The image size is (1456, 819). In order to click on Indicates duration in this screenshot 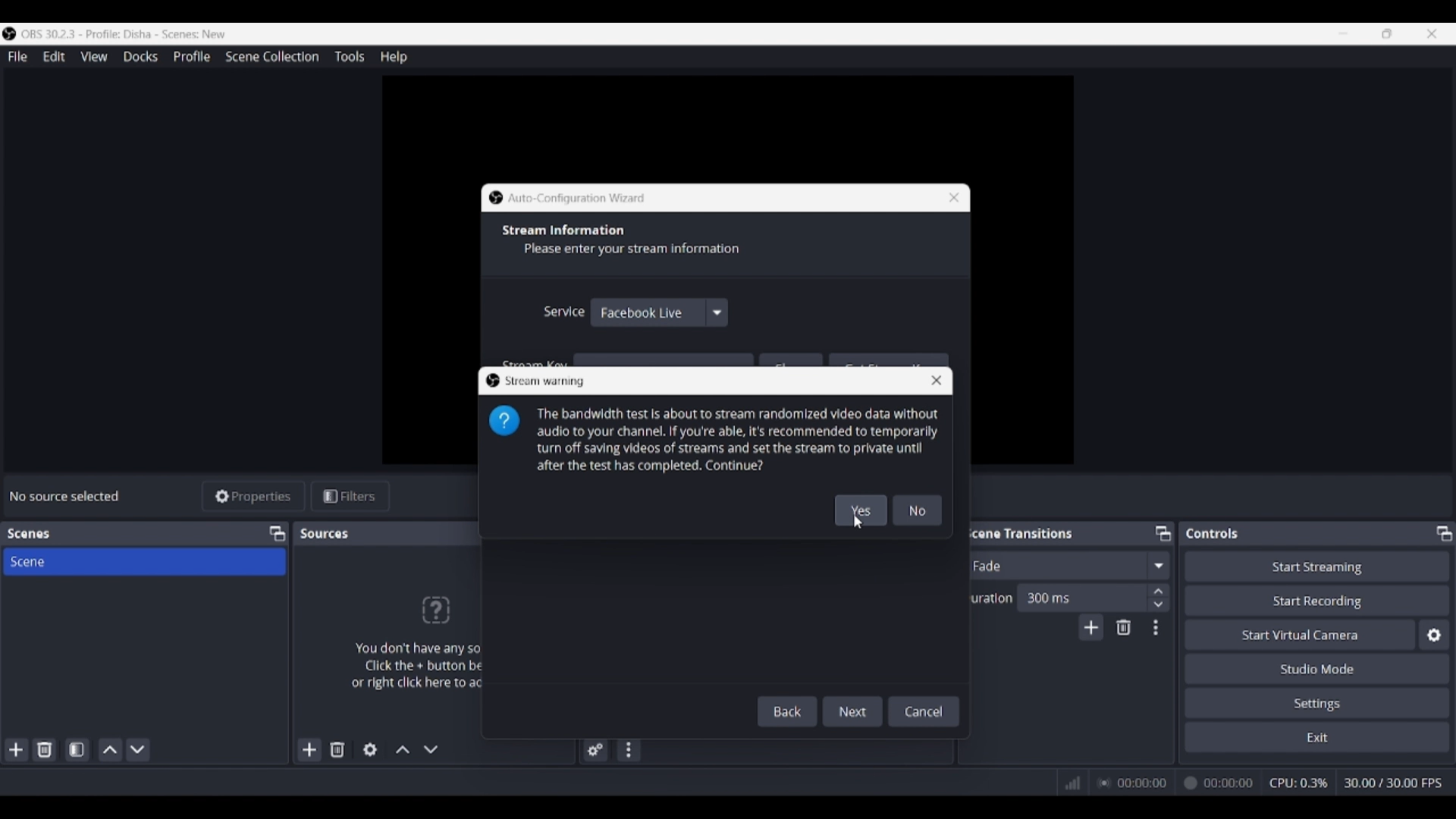, I will do `click(987, 598)`.